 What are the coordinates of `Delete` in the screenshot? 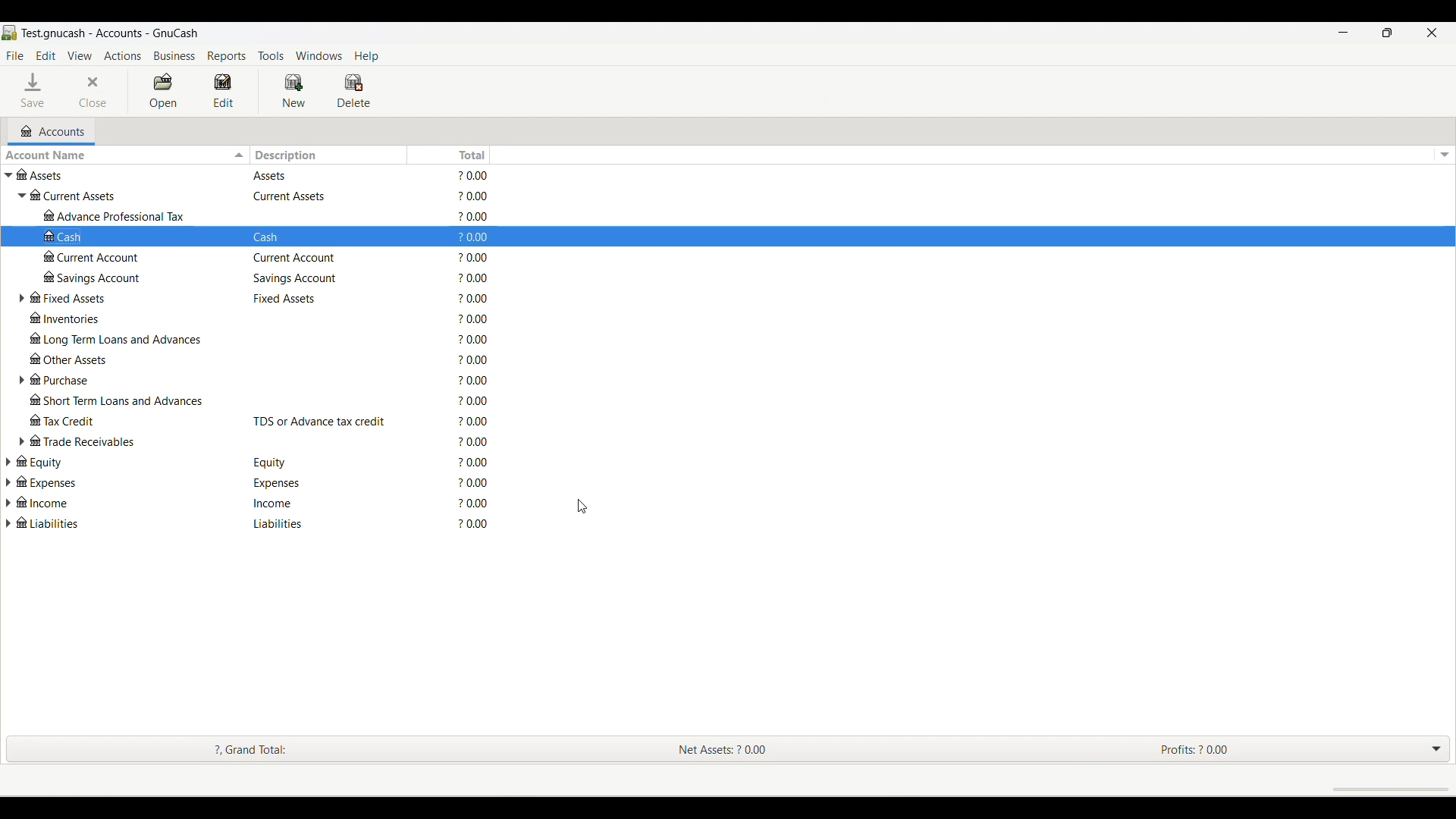 It's located at (353, 91).